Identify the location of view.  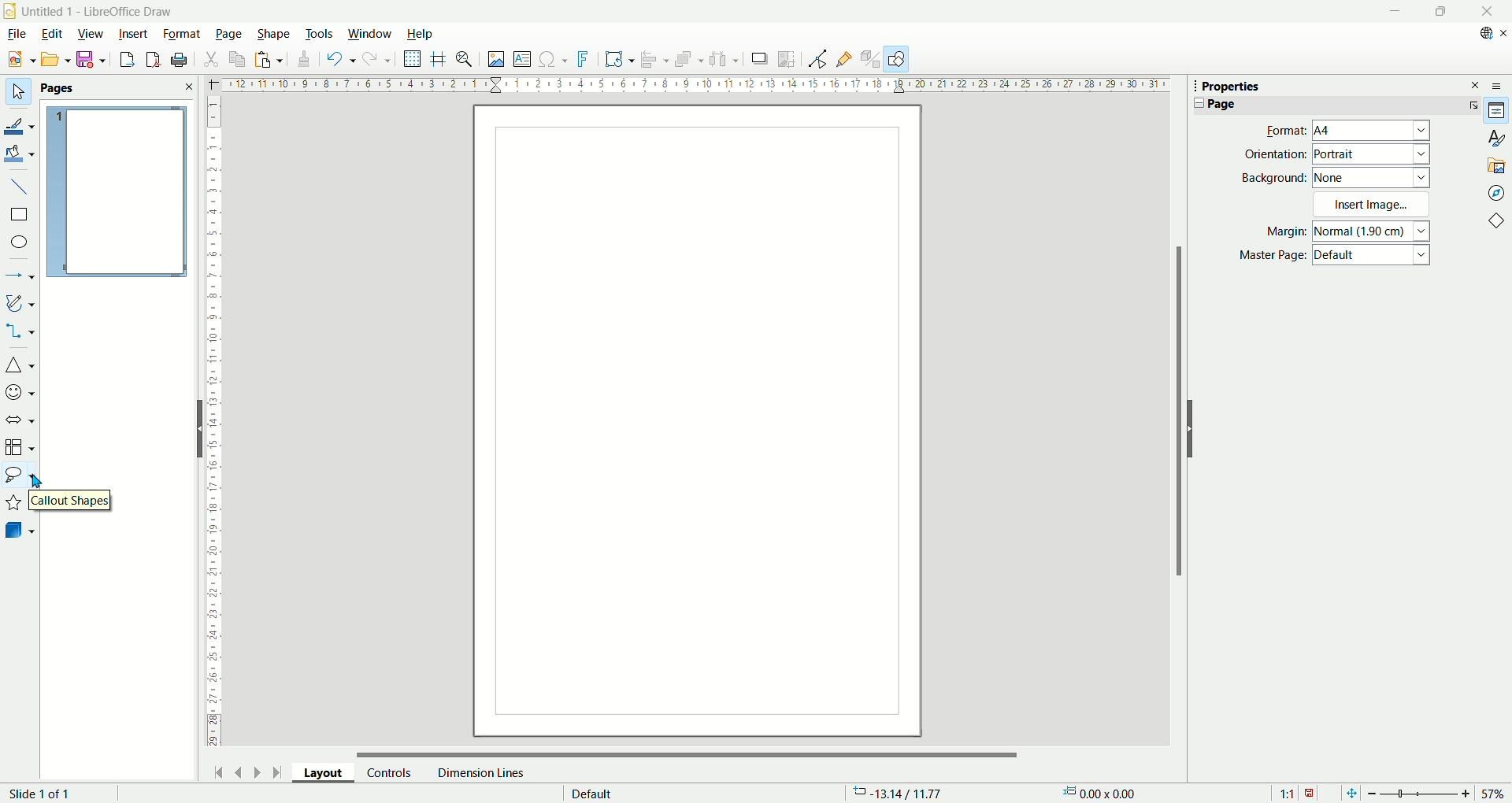
(91, 32).